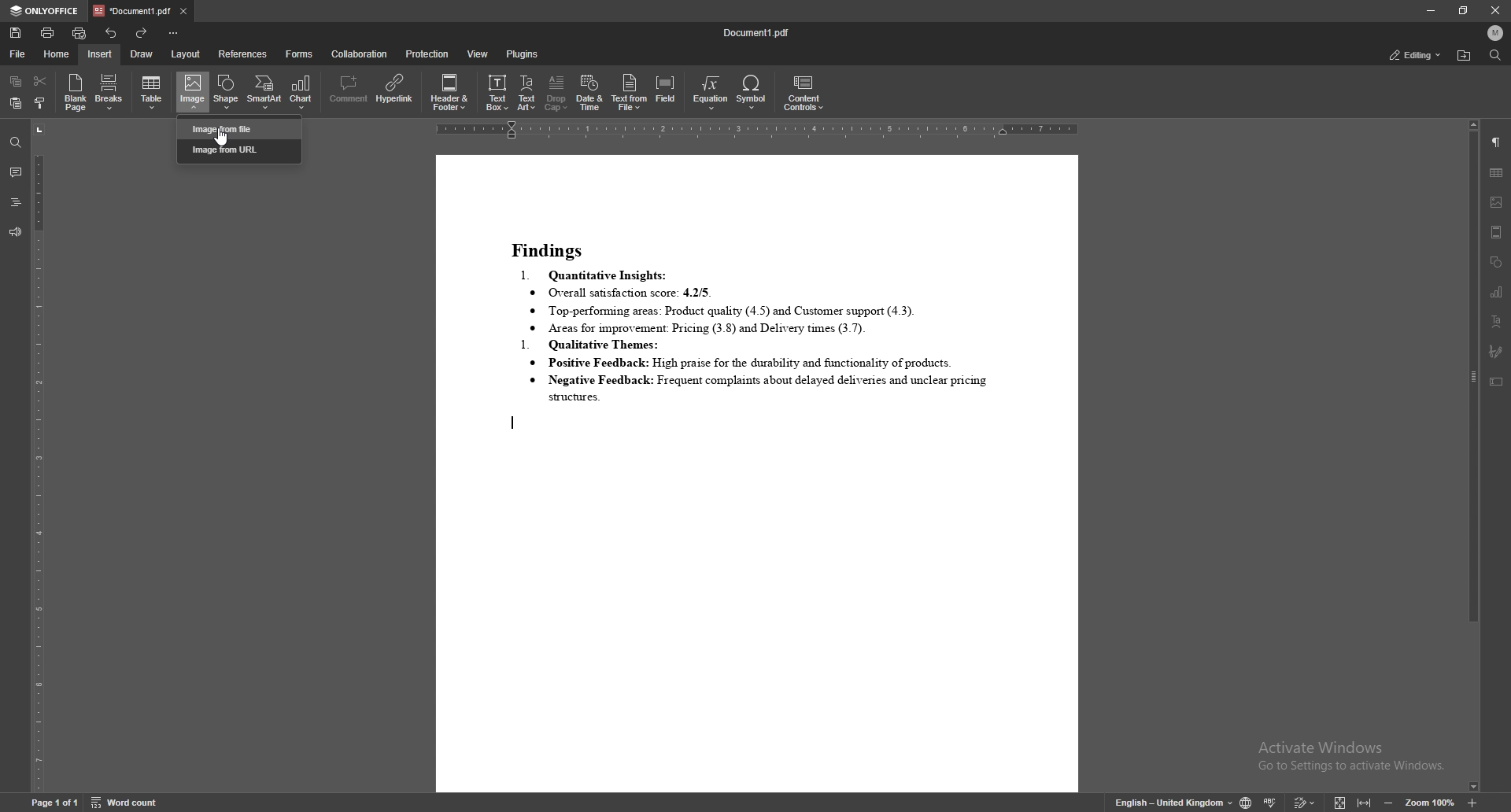  I want to click on feedback, so click(14, 233).